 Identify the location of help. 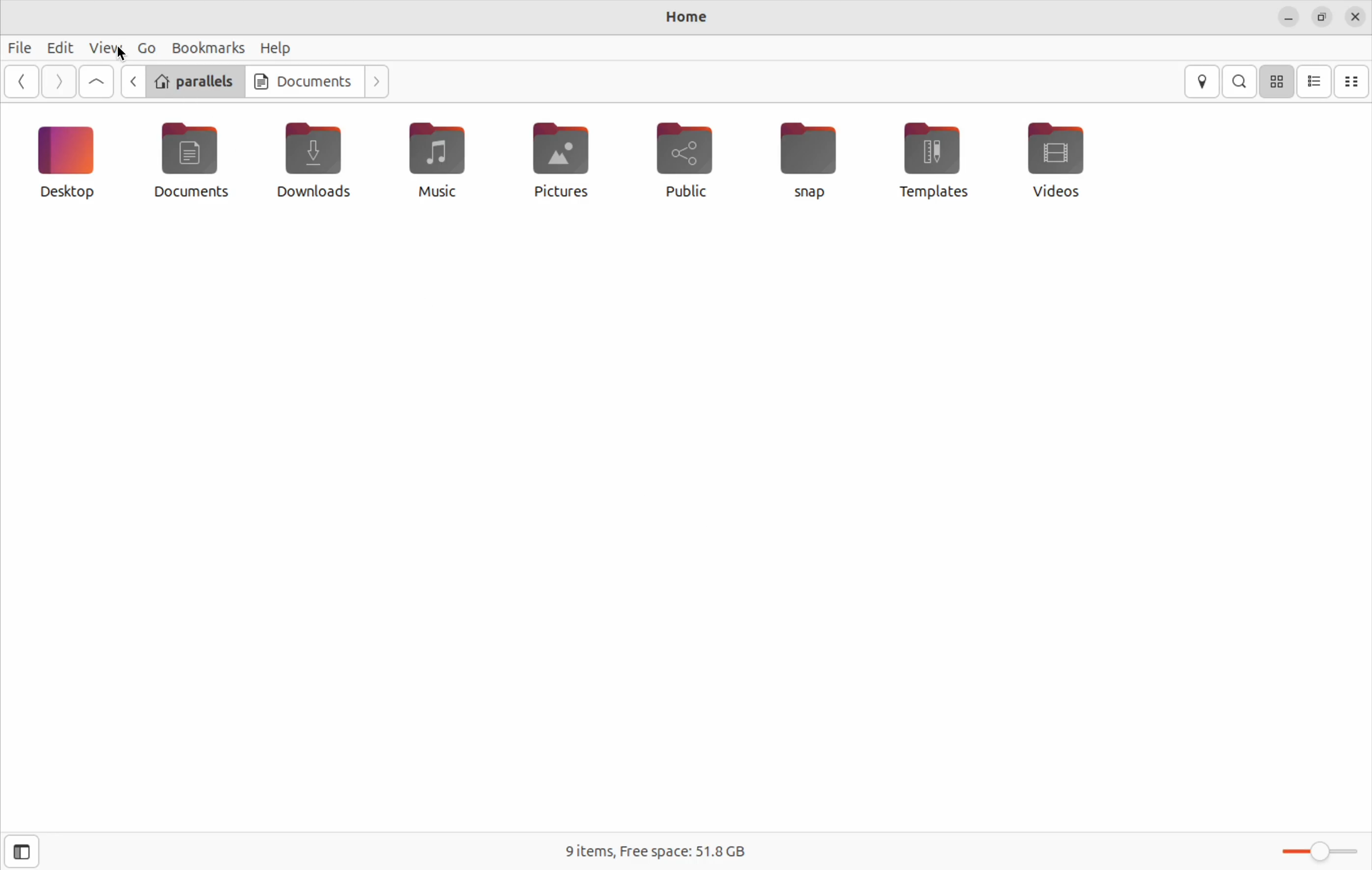
(277, 48).